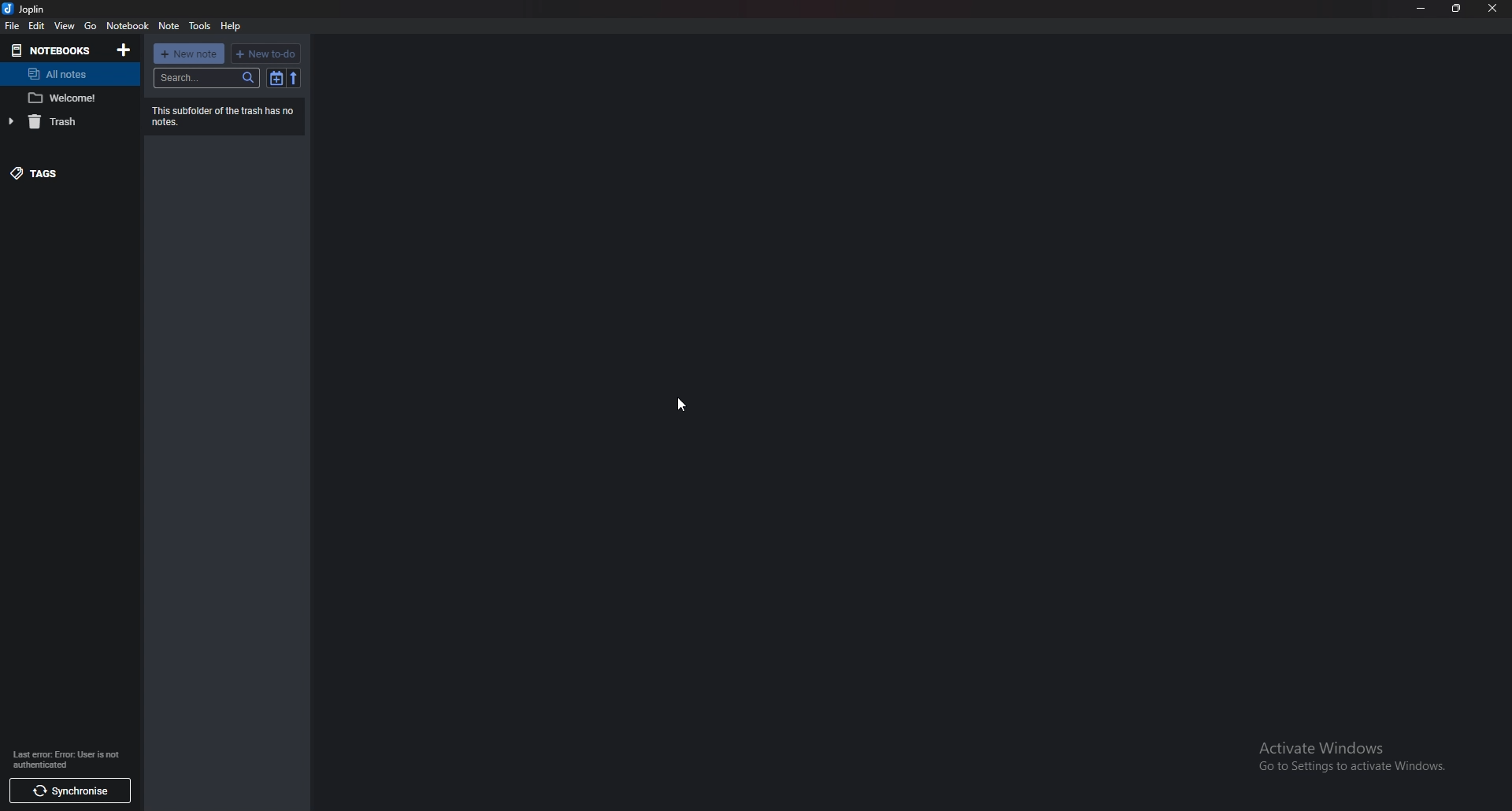 The image size is (1512, 811). What do you see at coordinates (68, 74) in the screenshot?
I see `All Notes` at bounding box center [68, 74].